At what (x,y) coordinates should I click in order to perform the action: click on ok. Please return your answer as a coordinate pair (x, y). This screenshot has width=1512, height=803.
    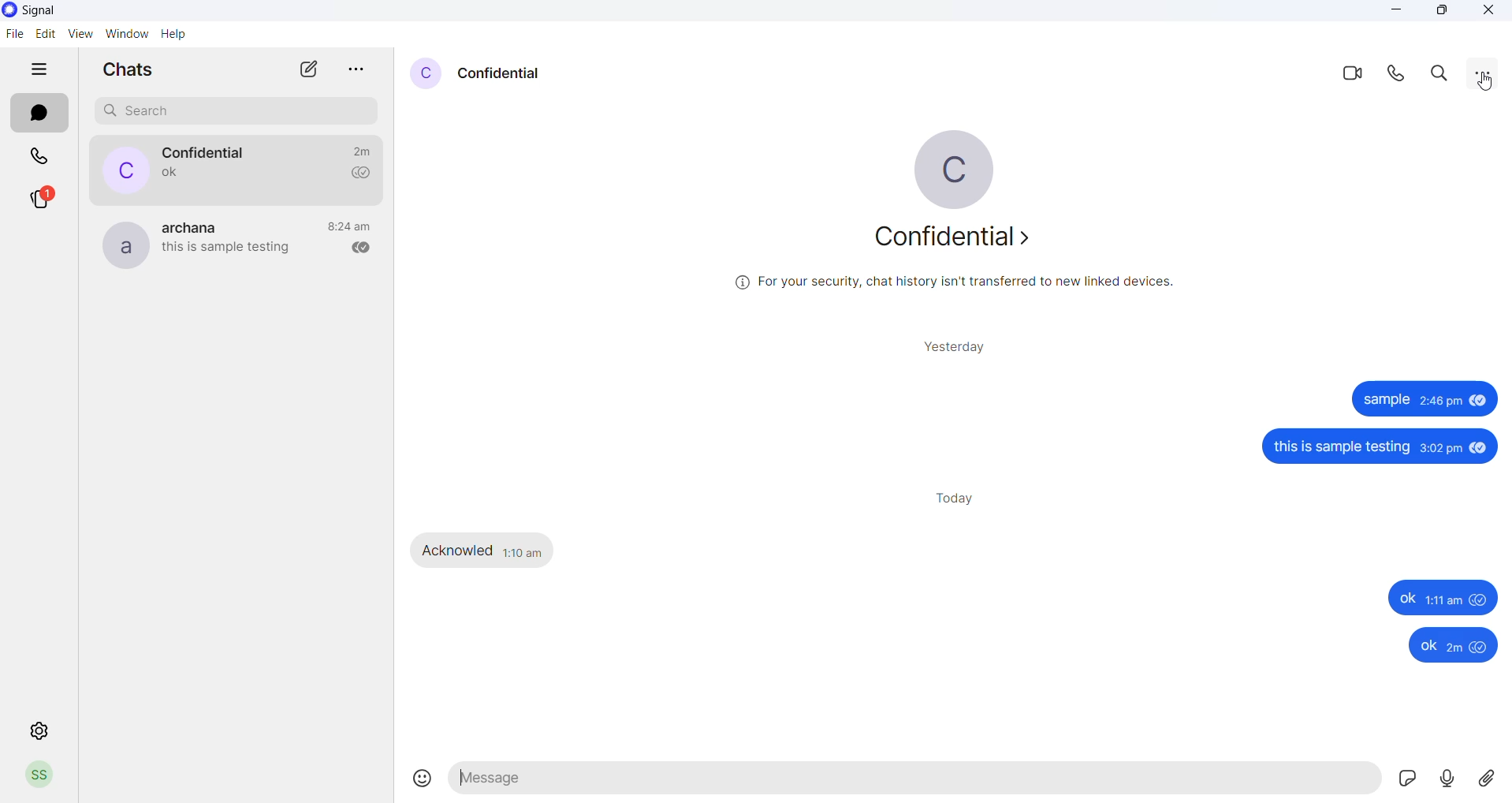
    Looking at the image, I should click on (1436, 598).